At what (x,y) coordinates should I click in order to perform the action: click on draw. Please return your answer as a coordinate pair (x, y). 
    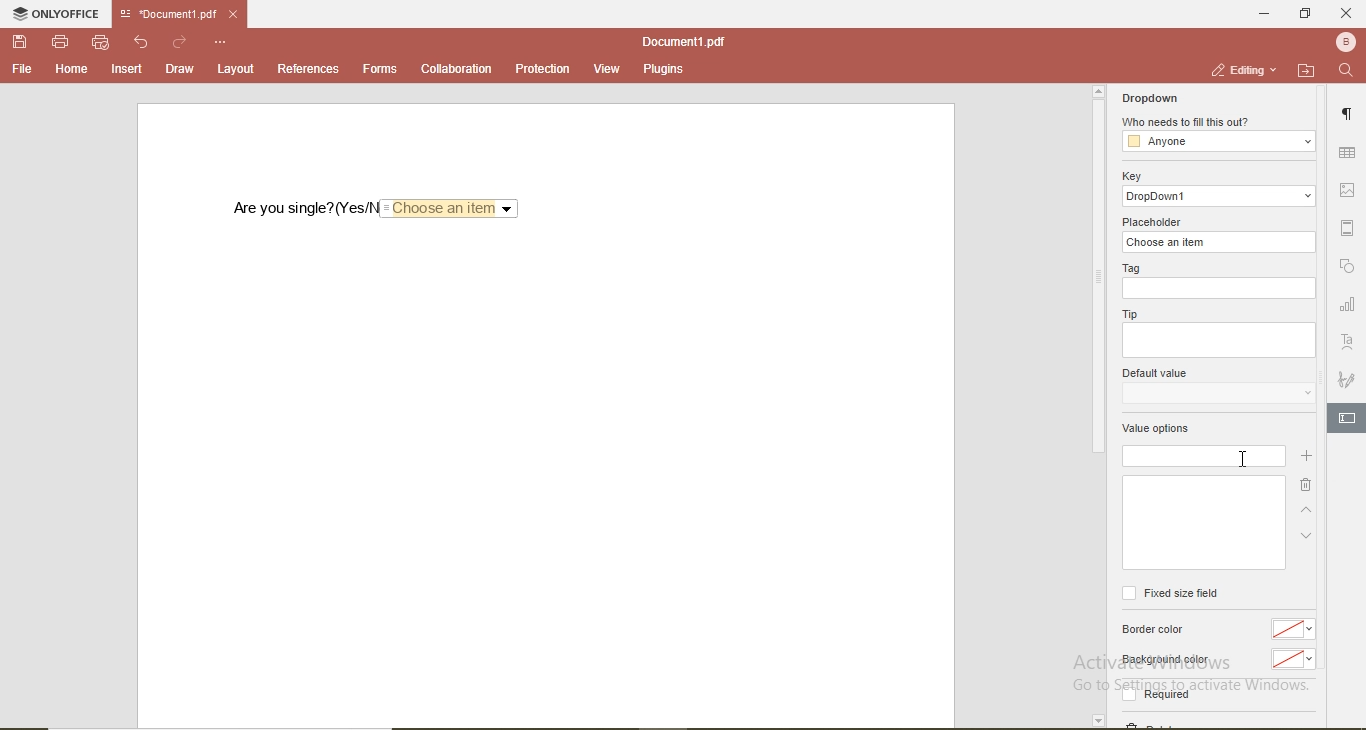
    Looking at the image, I should click on (179, 69).